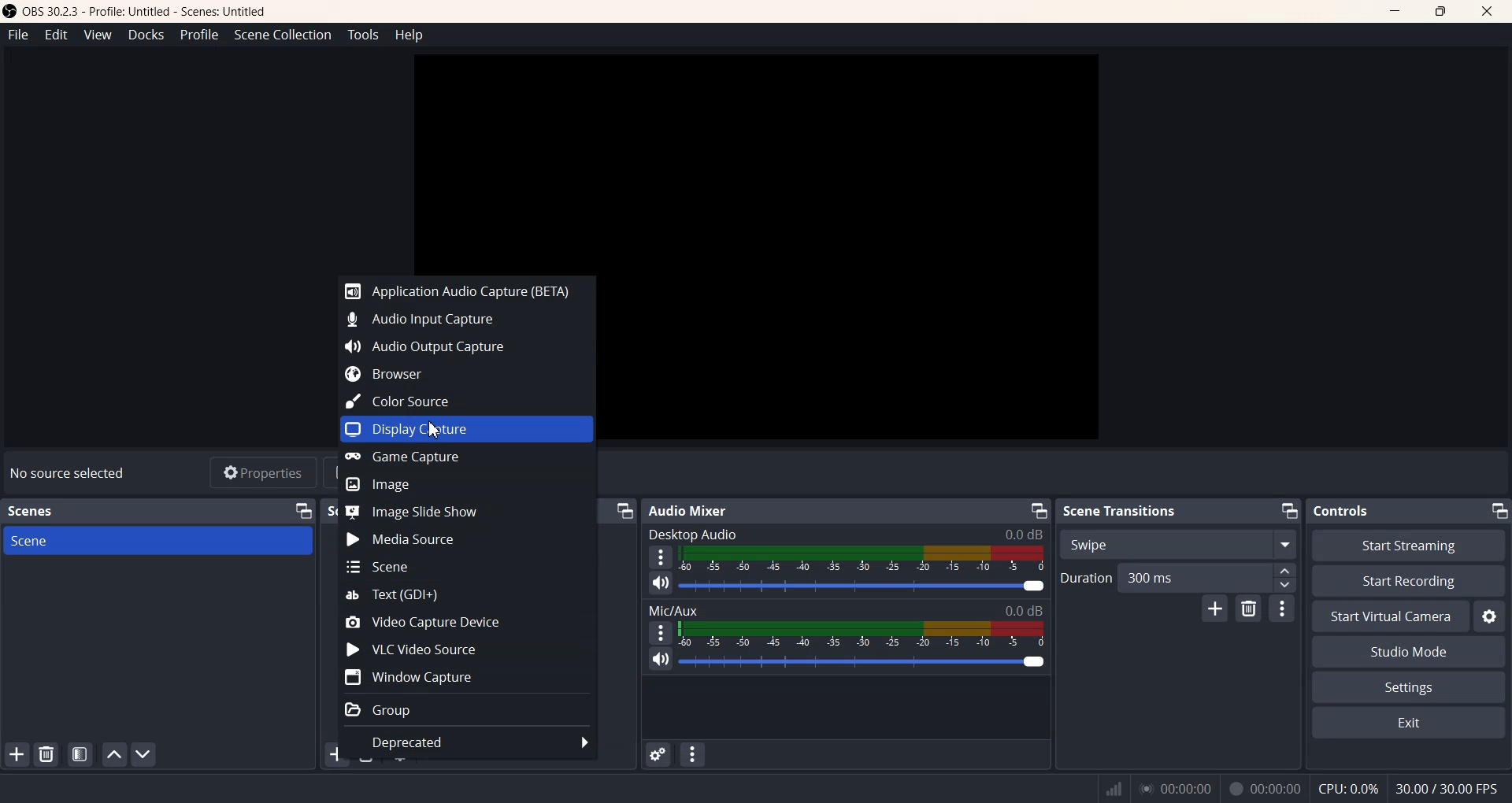 This screenshot has width=1512, height=803. Describe the element at coordinates (693, 754) in the screenshot. I see `Audio Mixer menu` at that location.